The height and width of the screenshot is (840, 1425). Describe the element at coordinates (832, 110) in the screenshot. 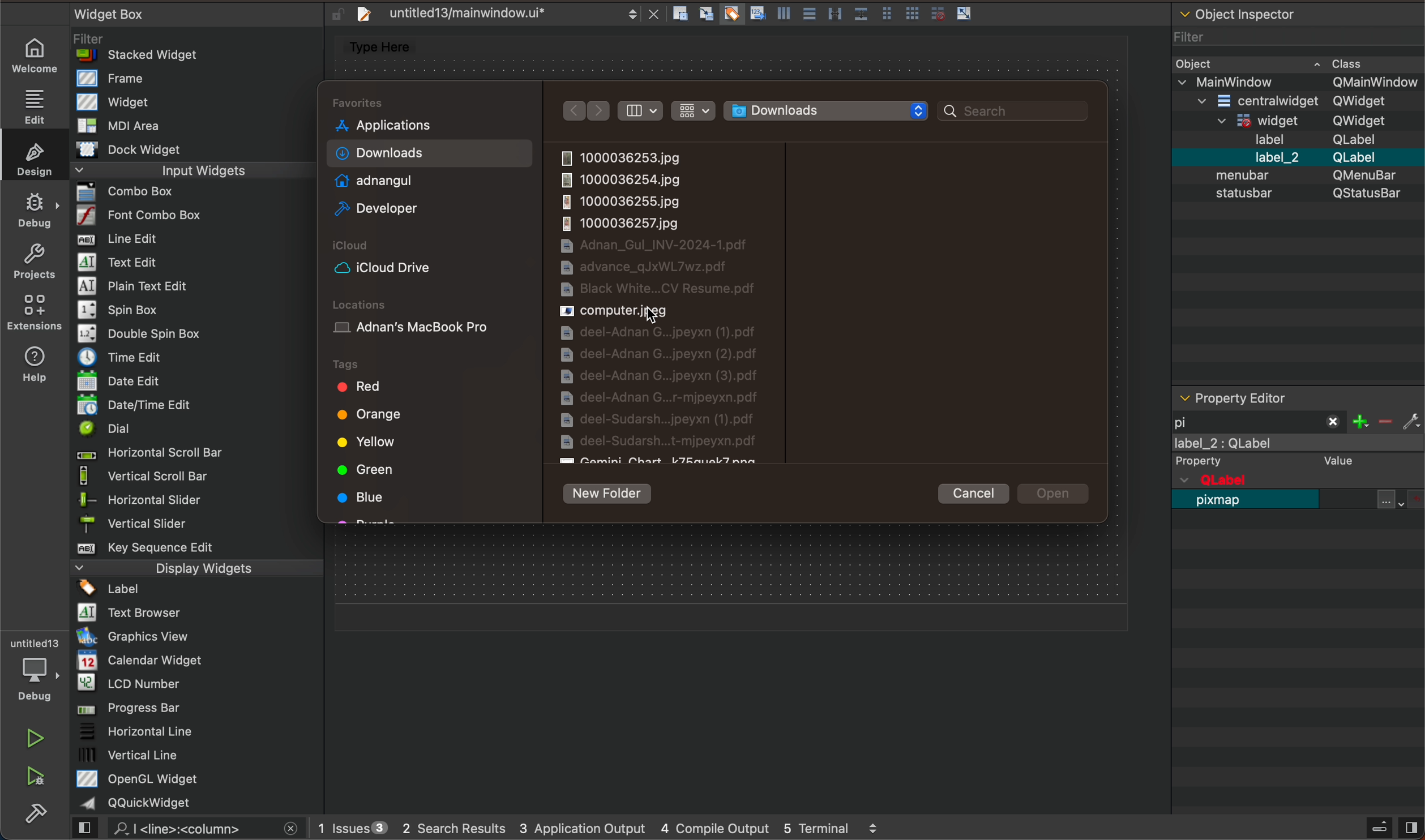

I see `select folder` at that location.